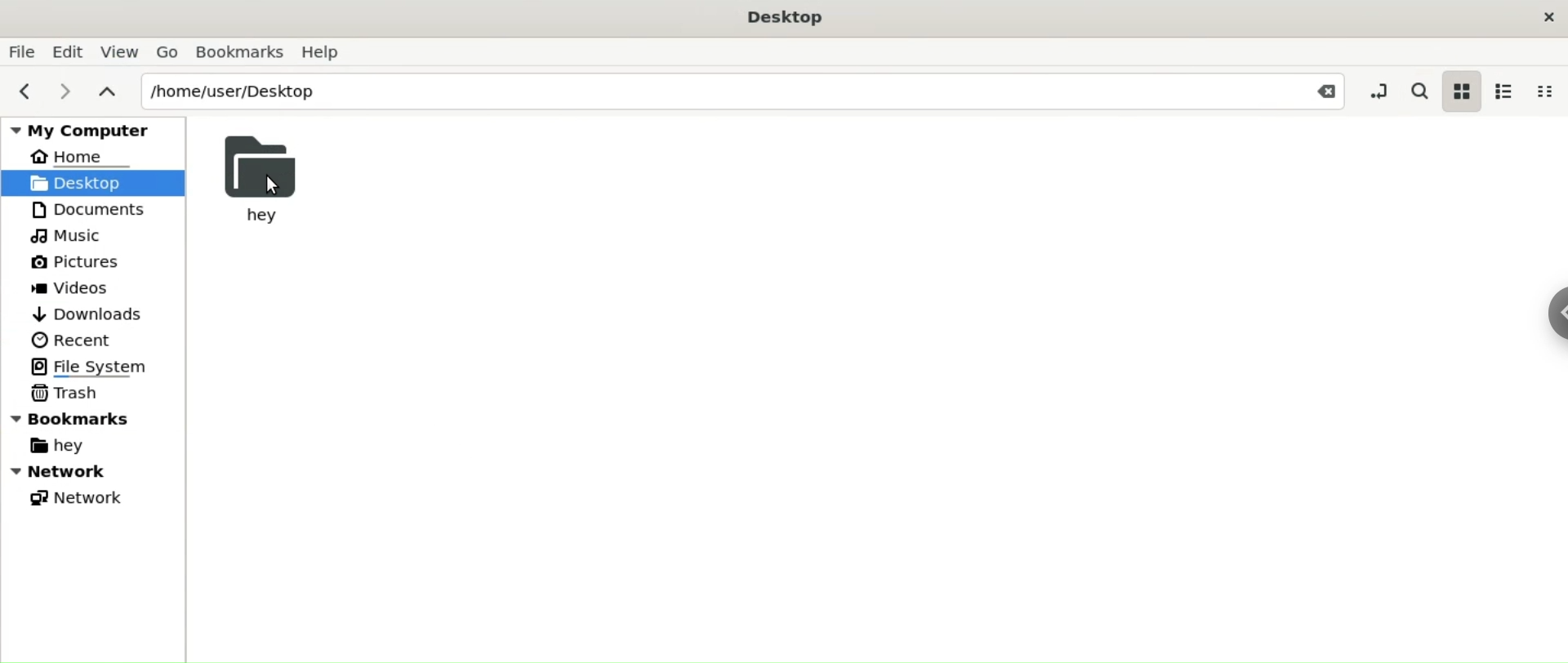  What do you see at coordinates (1463, 91) in the screenshot?
I see `icon view` at bounding box center [1463, 91].